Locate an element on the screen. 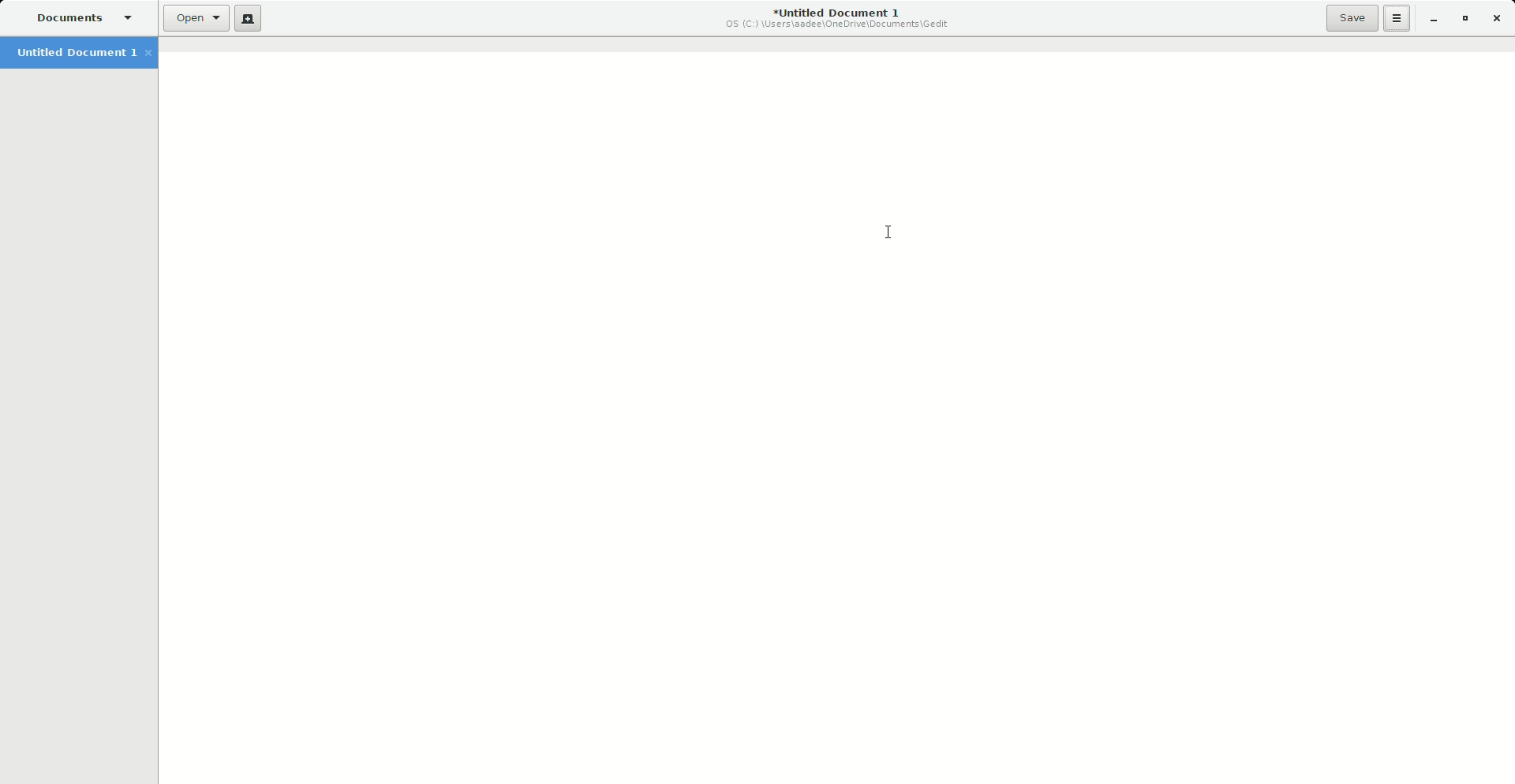 The height and width of the screenshot is (784, 1515). Open is located at coordinates (193, 21).